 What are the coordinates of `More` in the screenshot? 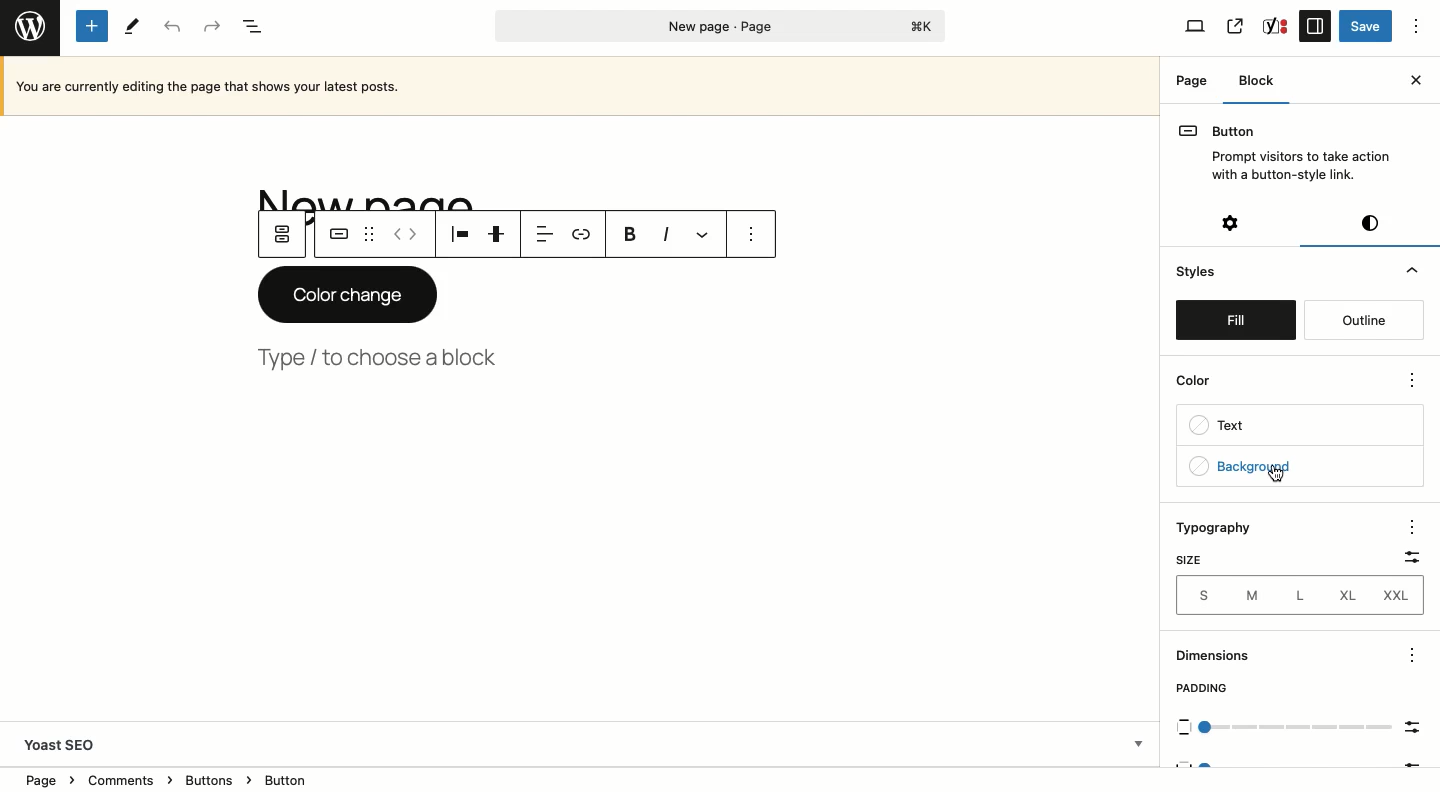 It's located at (701, 234).